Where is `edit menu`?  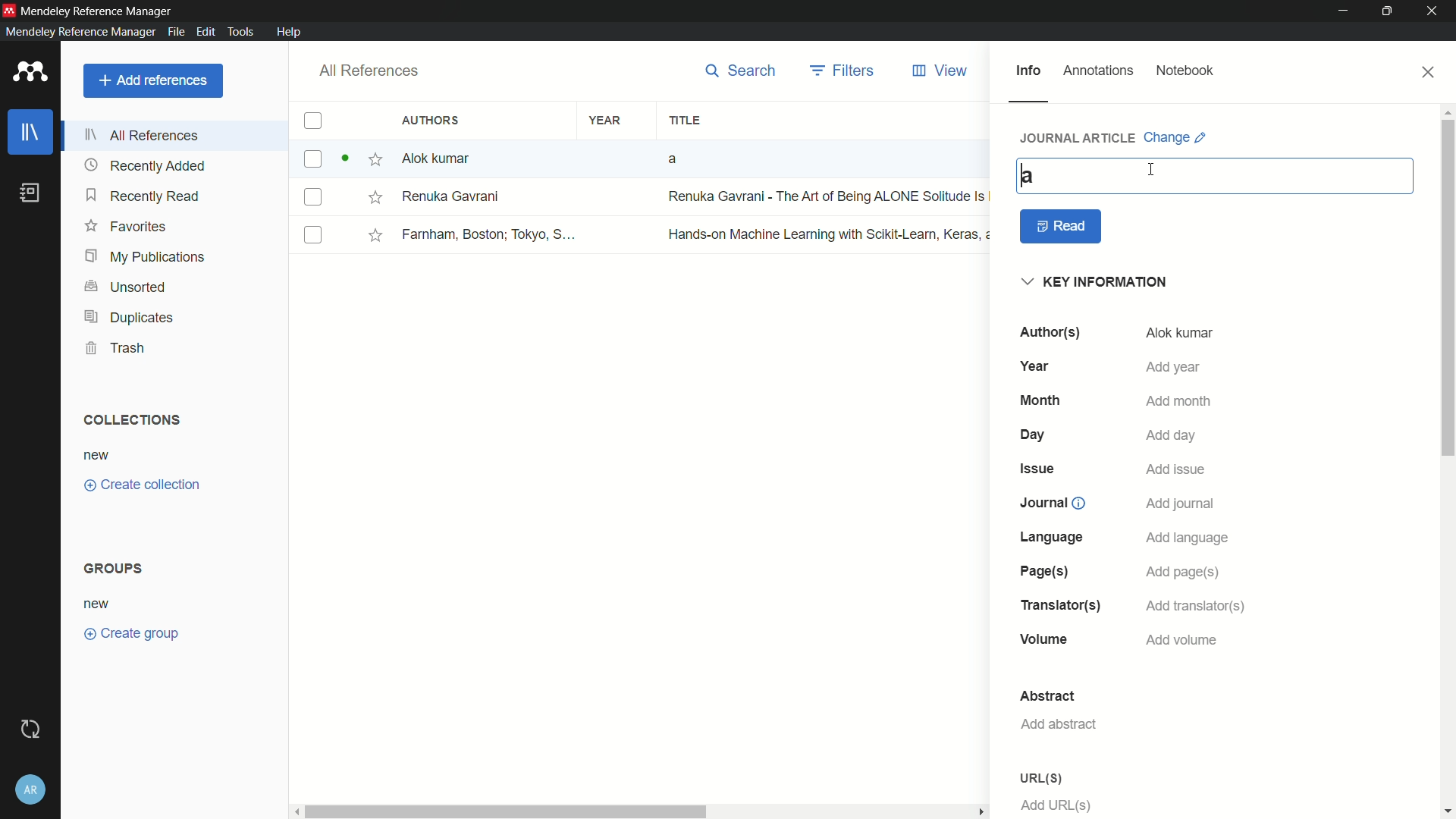 edit menu is located at coordinates (204, 32).